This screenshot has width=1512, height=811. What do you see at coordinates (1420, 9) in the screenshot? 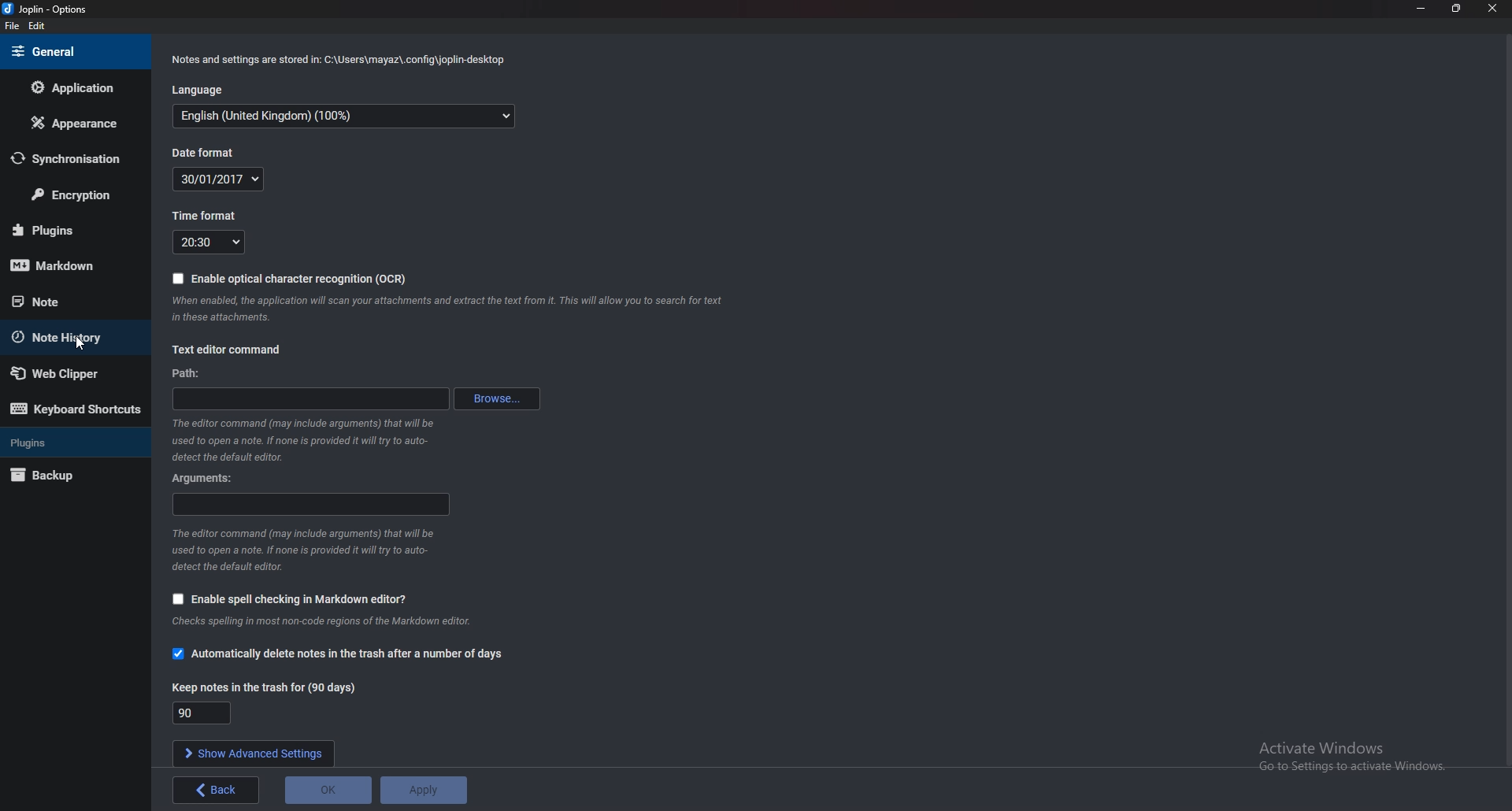
I see `Minimize` at bounding box center [1420, 9].